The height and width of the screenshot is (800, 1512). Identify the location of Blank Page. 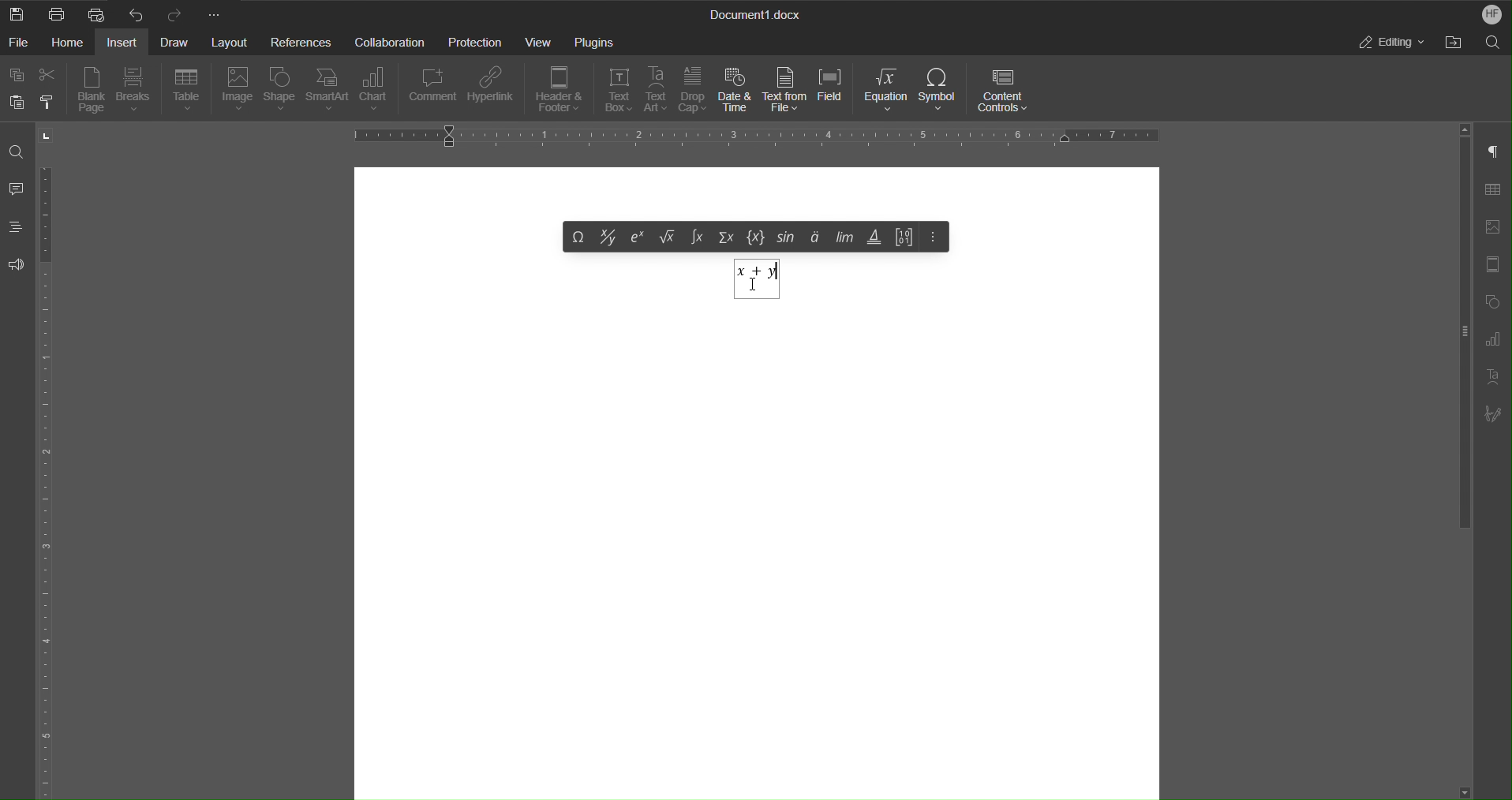
(92, 90).